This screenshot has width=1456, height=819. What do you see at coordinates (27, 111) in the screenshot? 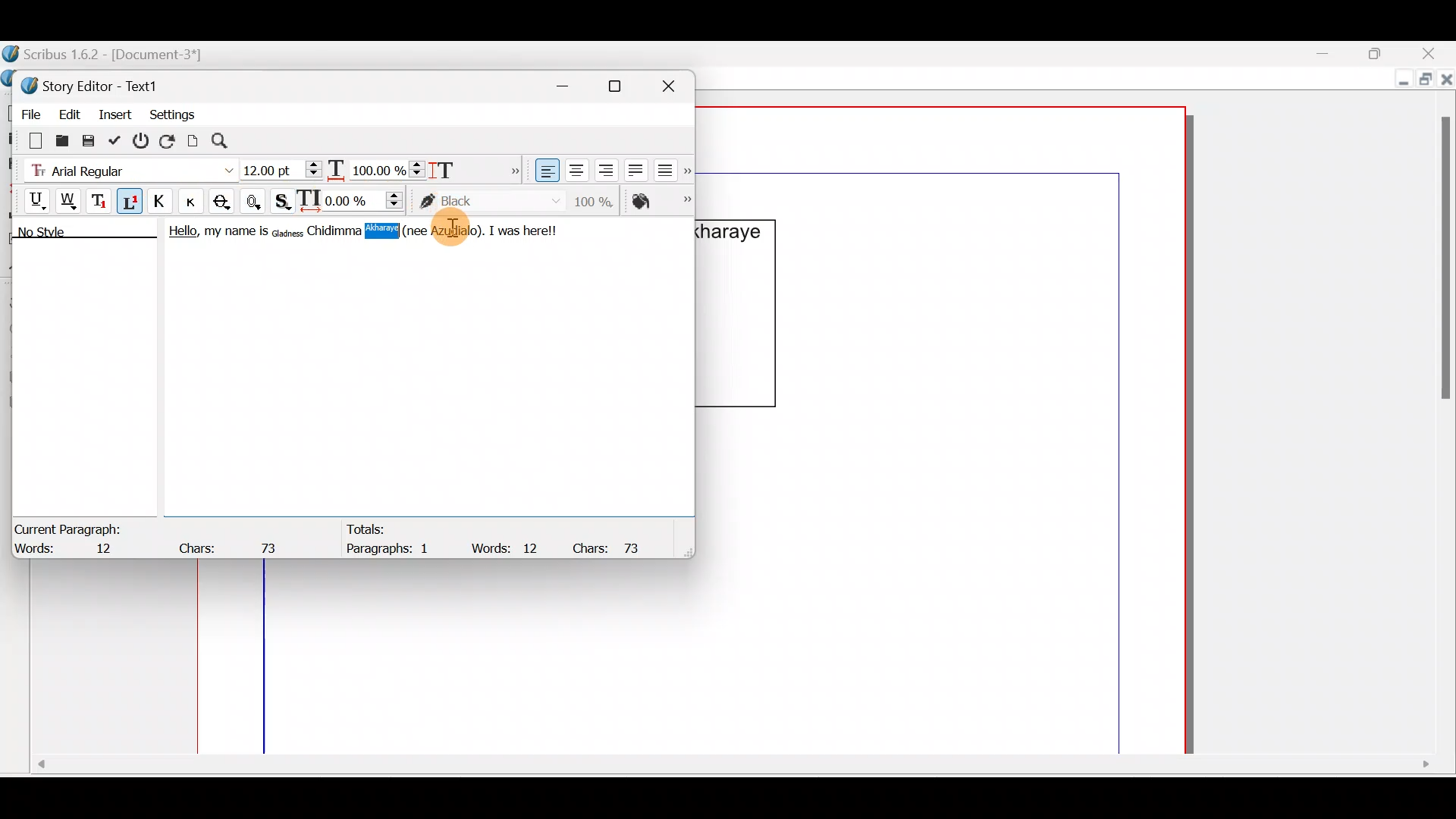
I see `File` at bounding box center [27, 111].